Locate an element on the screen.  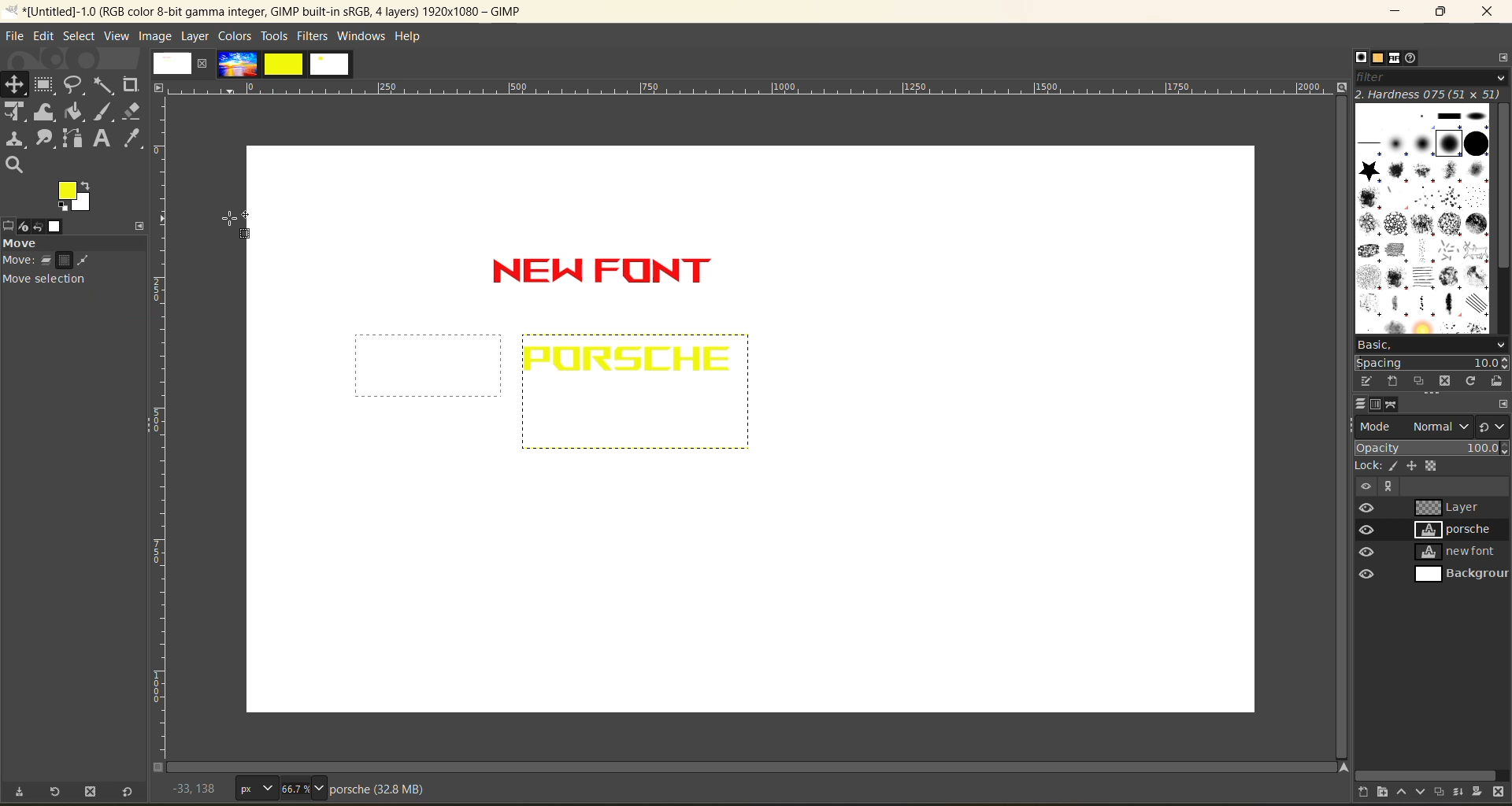
filter is located at coordinates (1431, 76).